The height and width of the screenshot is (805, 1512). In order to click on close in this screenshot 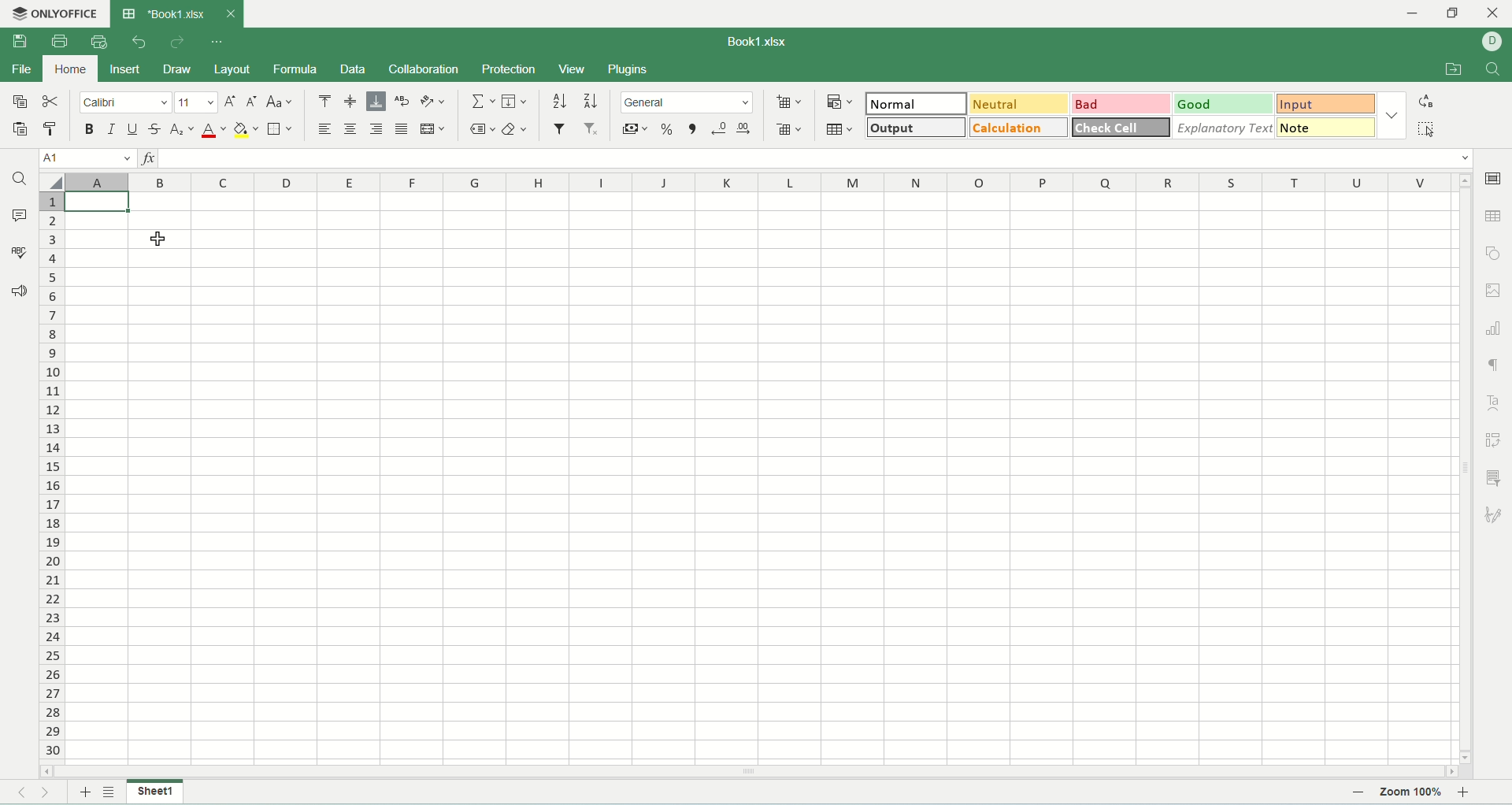, I will do `click(230, 14)`.